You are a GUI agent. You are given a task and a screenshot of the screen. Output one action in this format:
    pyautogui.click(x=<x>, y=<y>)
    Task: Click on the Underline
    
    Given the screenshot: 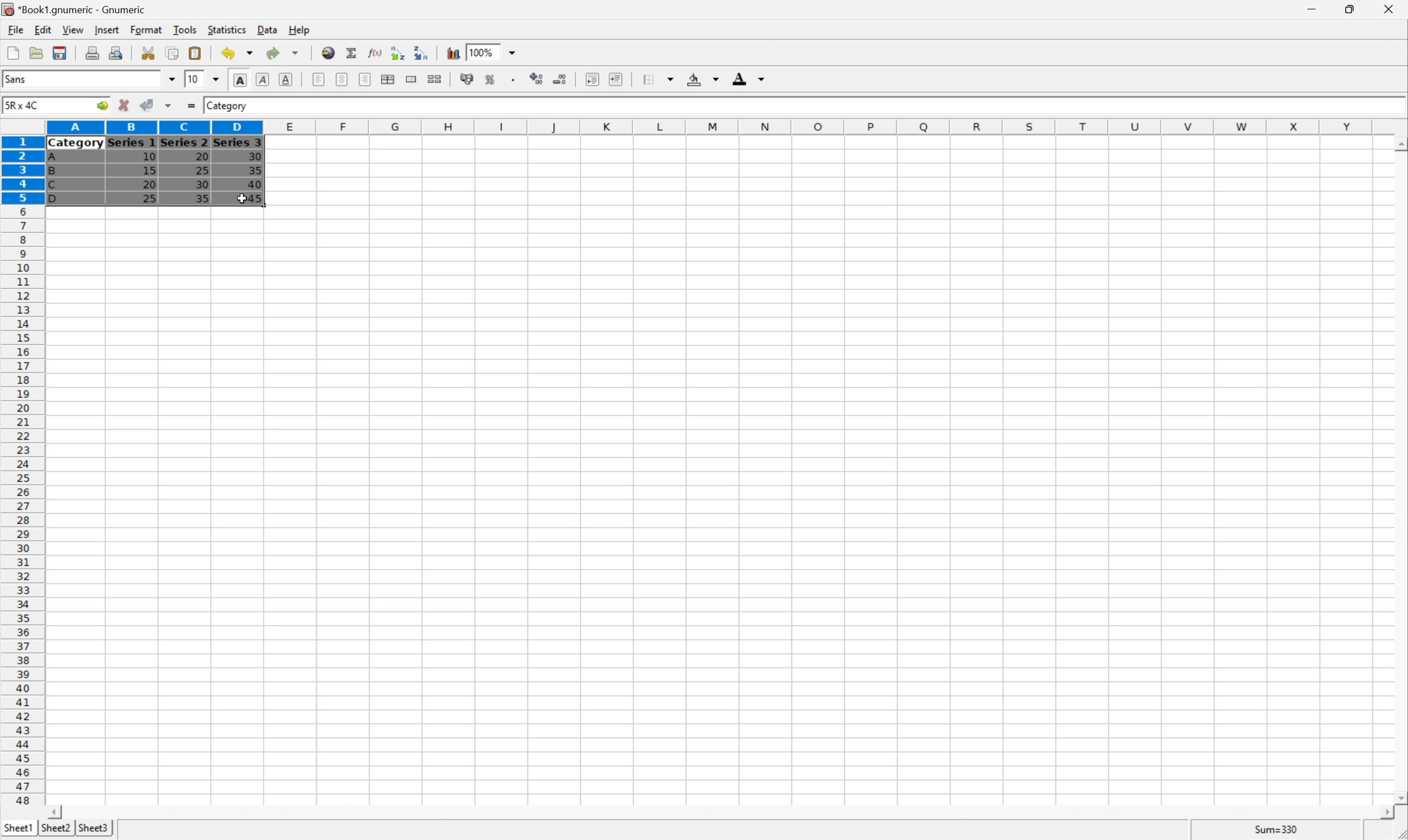 What is the action you would take?
    pyautogui.click(x=286, y=78)
    